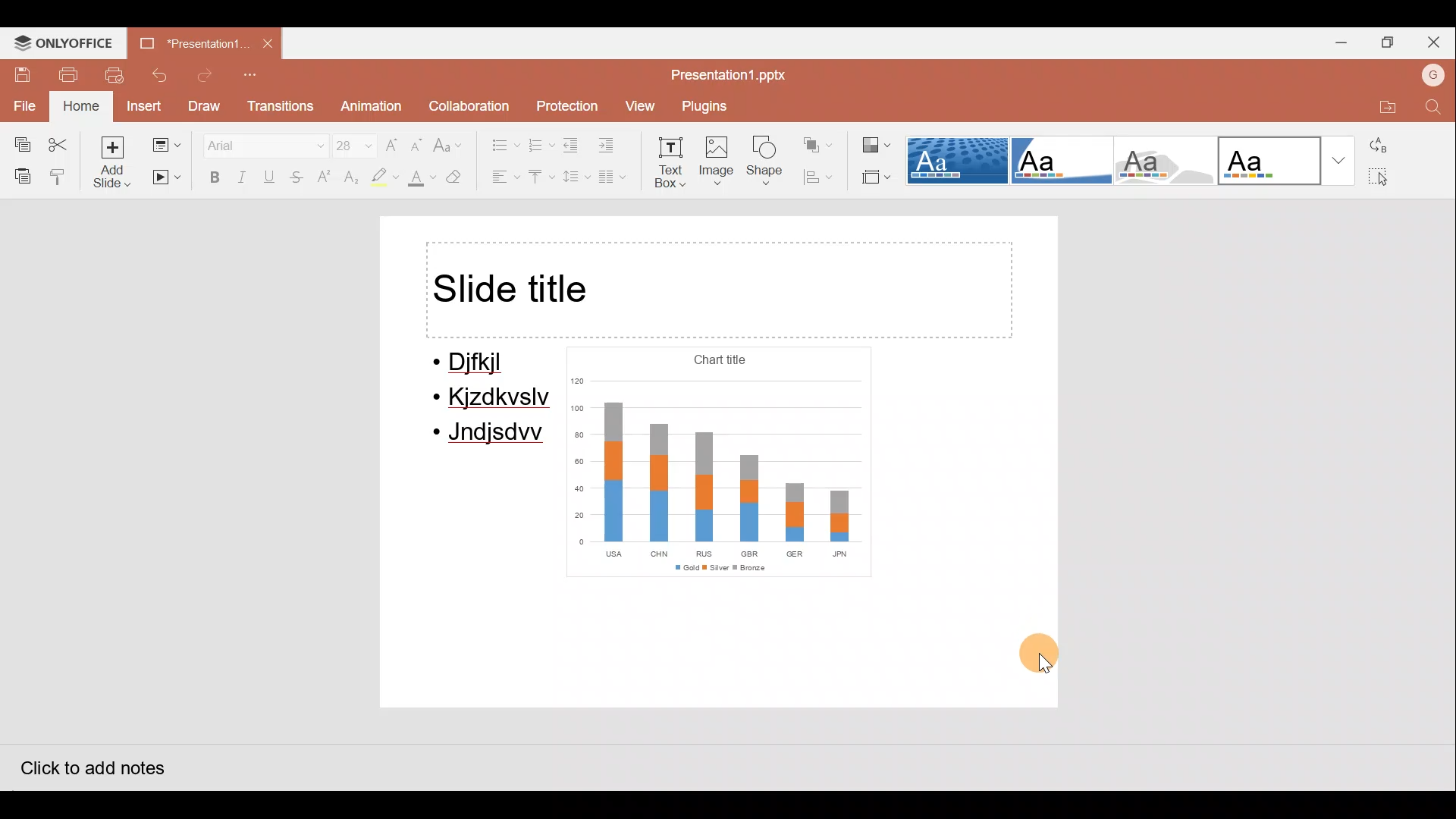 The image size is (1456, 819). I want to click on Cut, so click(65, 143).